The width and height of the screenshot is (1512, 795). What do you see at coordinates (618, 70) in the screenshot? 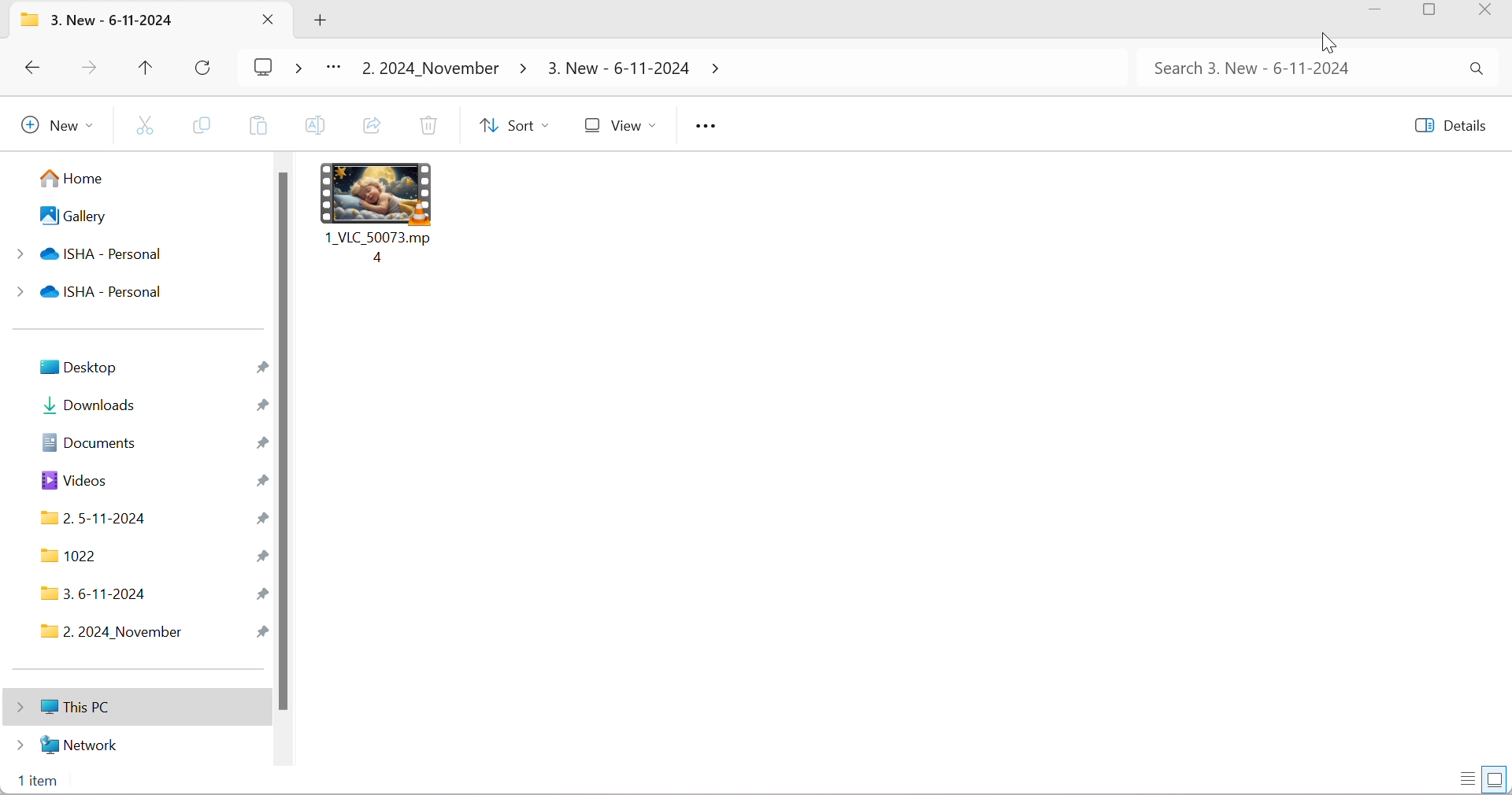
I see `3. New - 6-11-2024` at bounding box center [618, 70].